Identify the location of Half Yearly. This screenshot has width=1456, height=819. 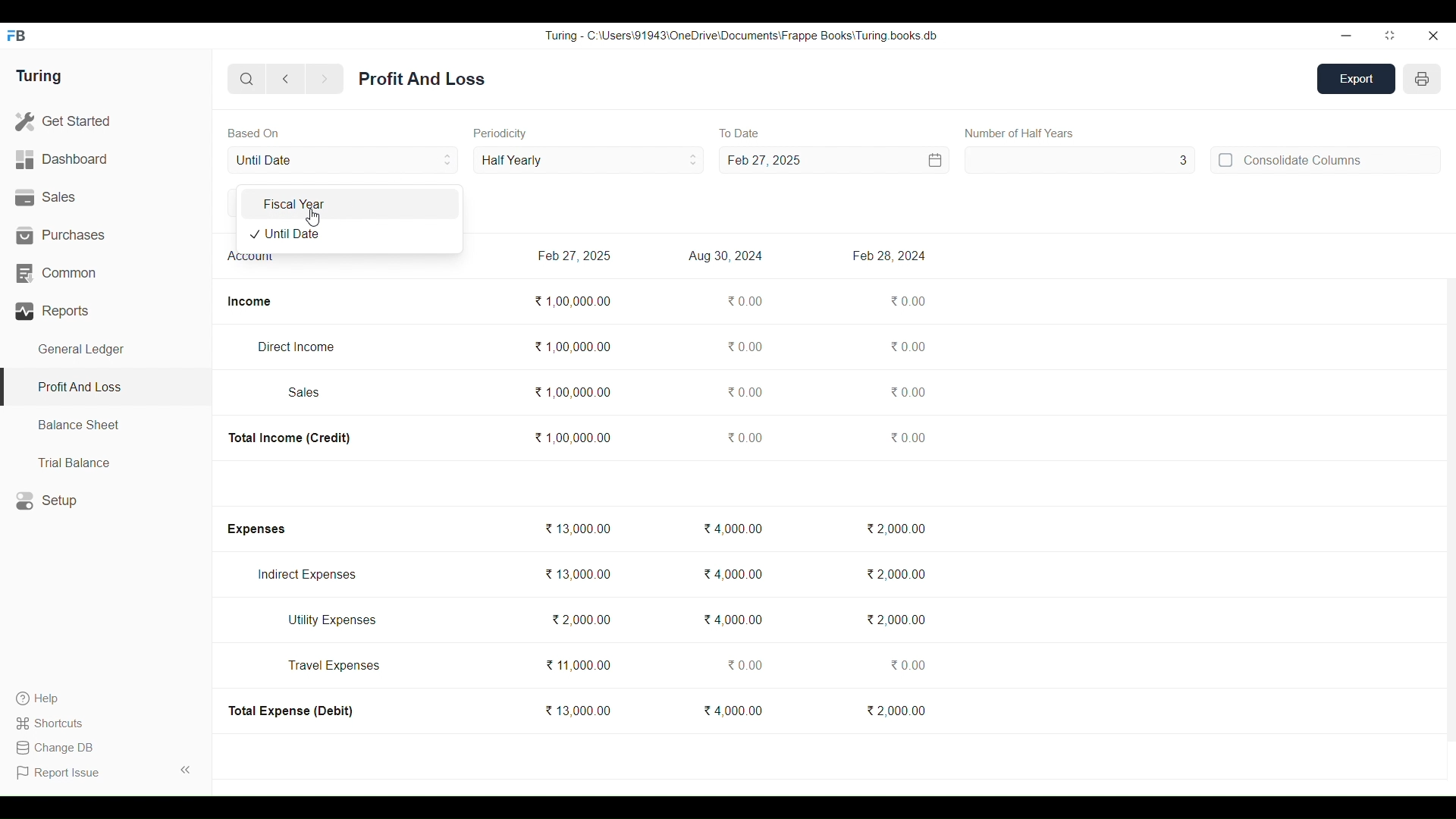
(588, 159).